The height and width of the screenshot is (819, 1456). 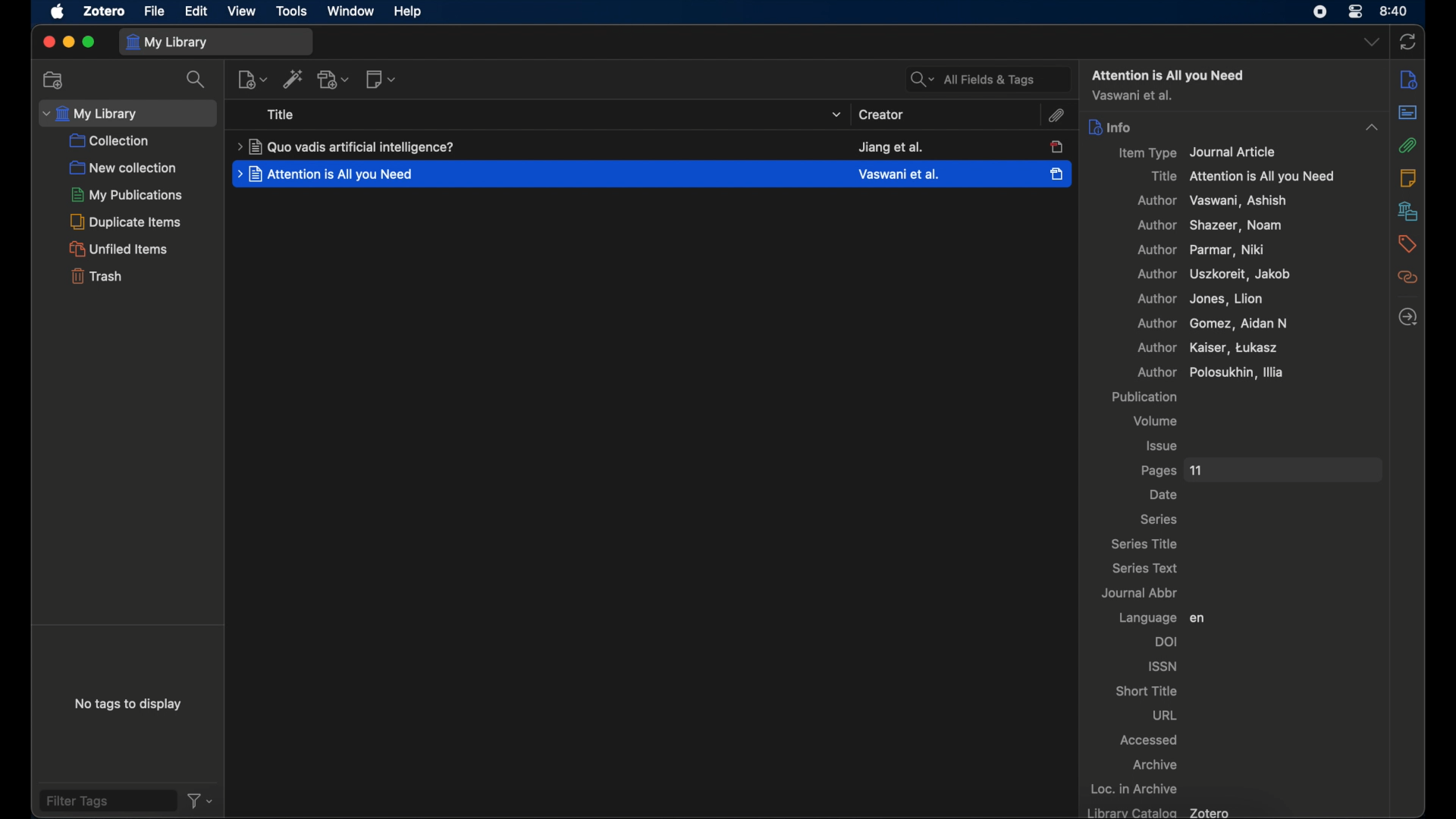 I want to click on dropdown menu, so click(x=1370, y=43).